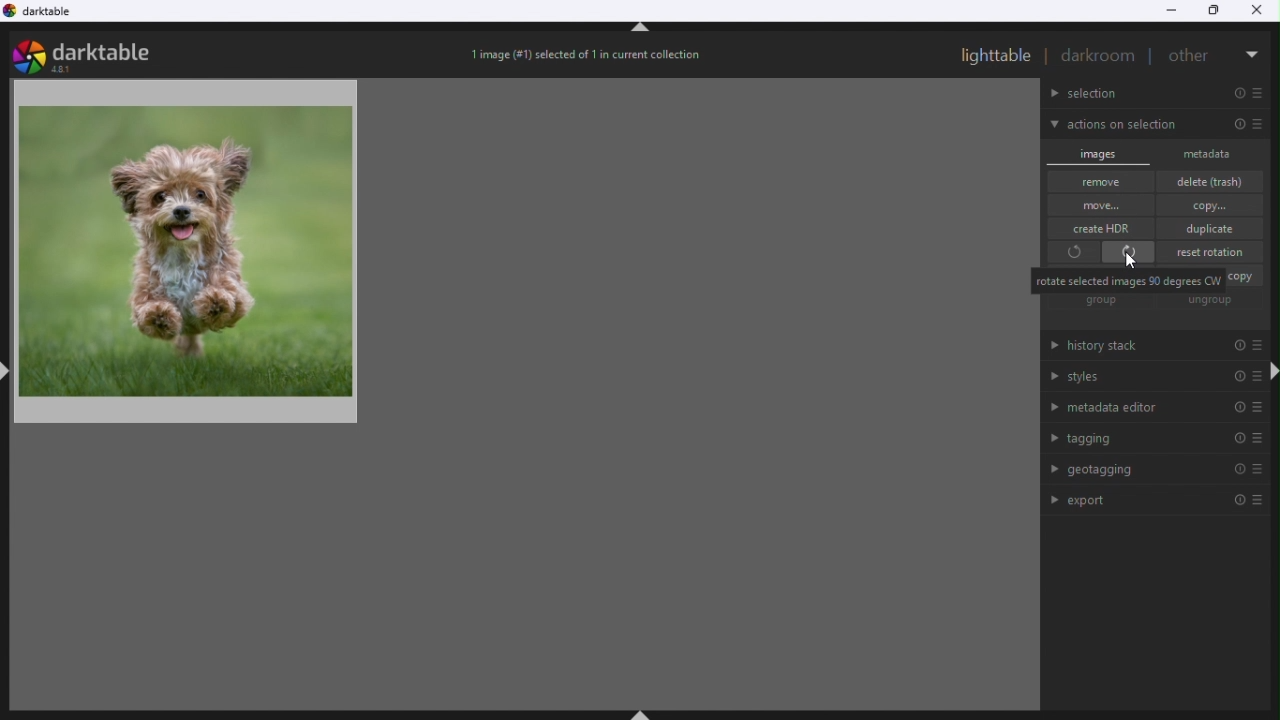 This screenshot has height=720, width=1280. I want to click on Rotate selected images, so click(1128, 280).